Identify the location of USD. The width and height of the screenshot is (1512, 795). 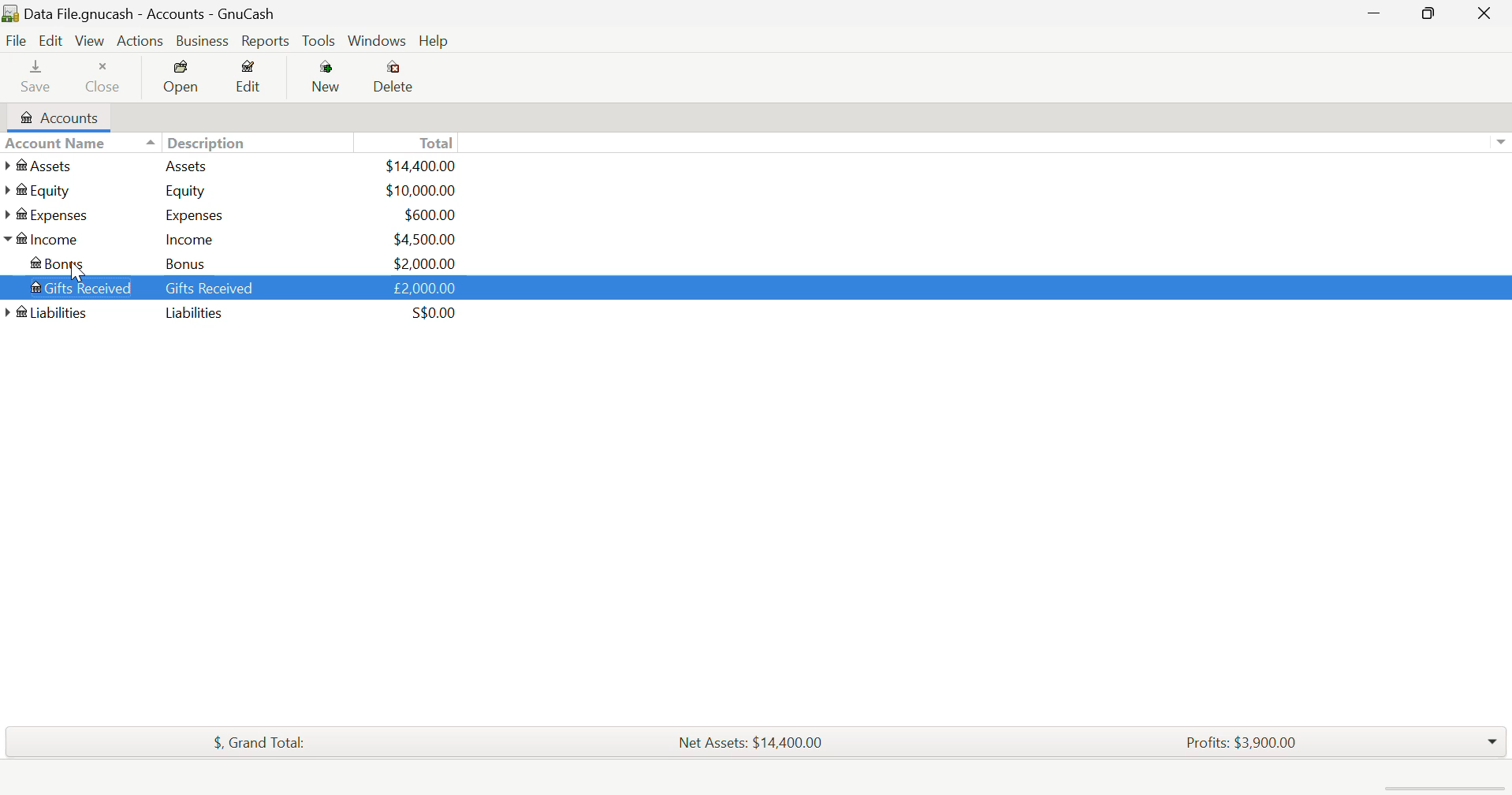
(423, 263).